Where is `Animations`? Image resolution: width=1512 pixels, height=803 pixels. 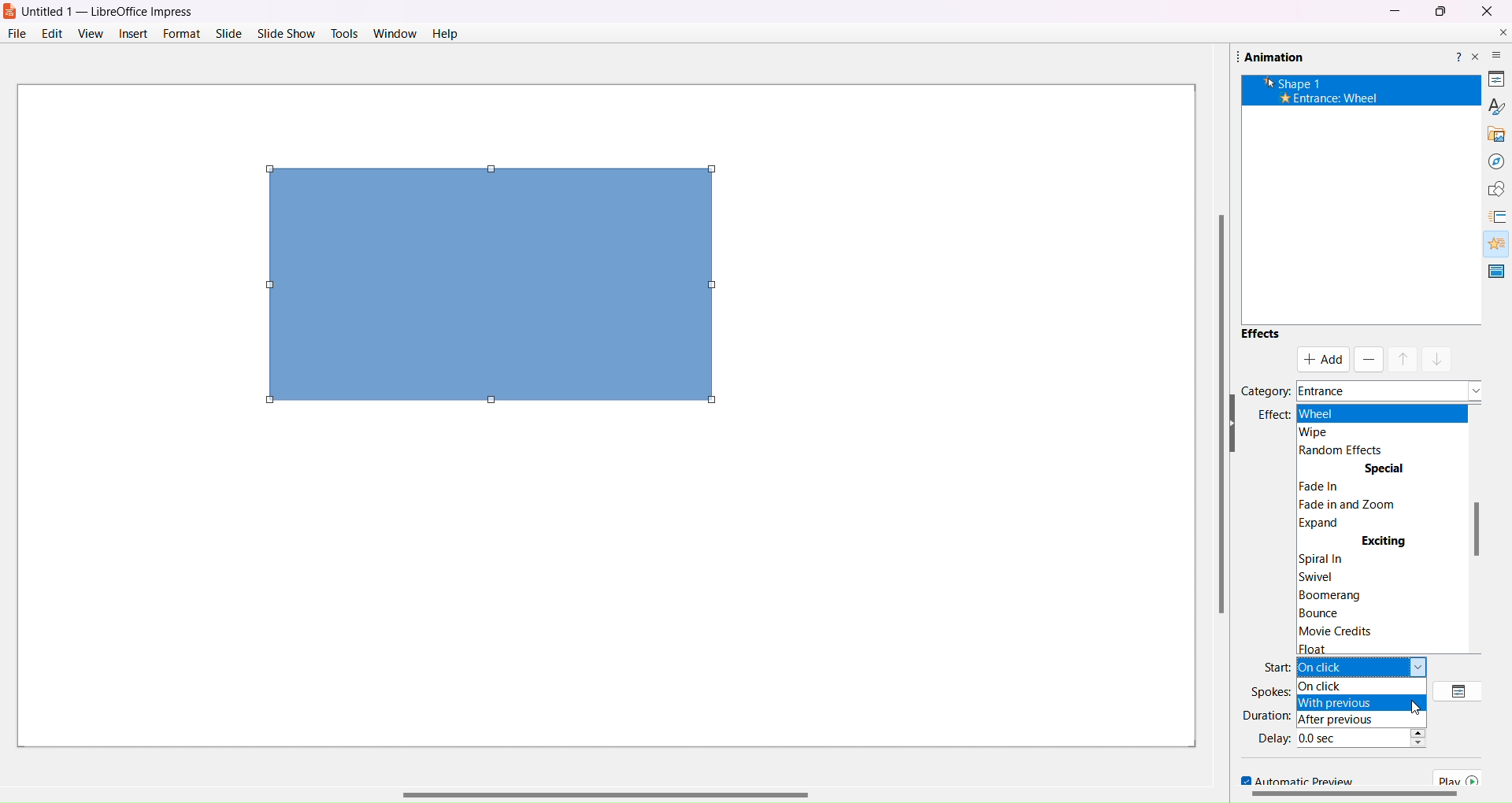 Animations is located at coordinates (1491, 241).